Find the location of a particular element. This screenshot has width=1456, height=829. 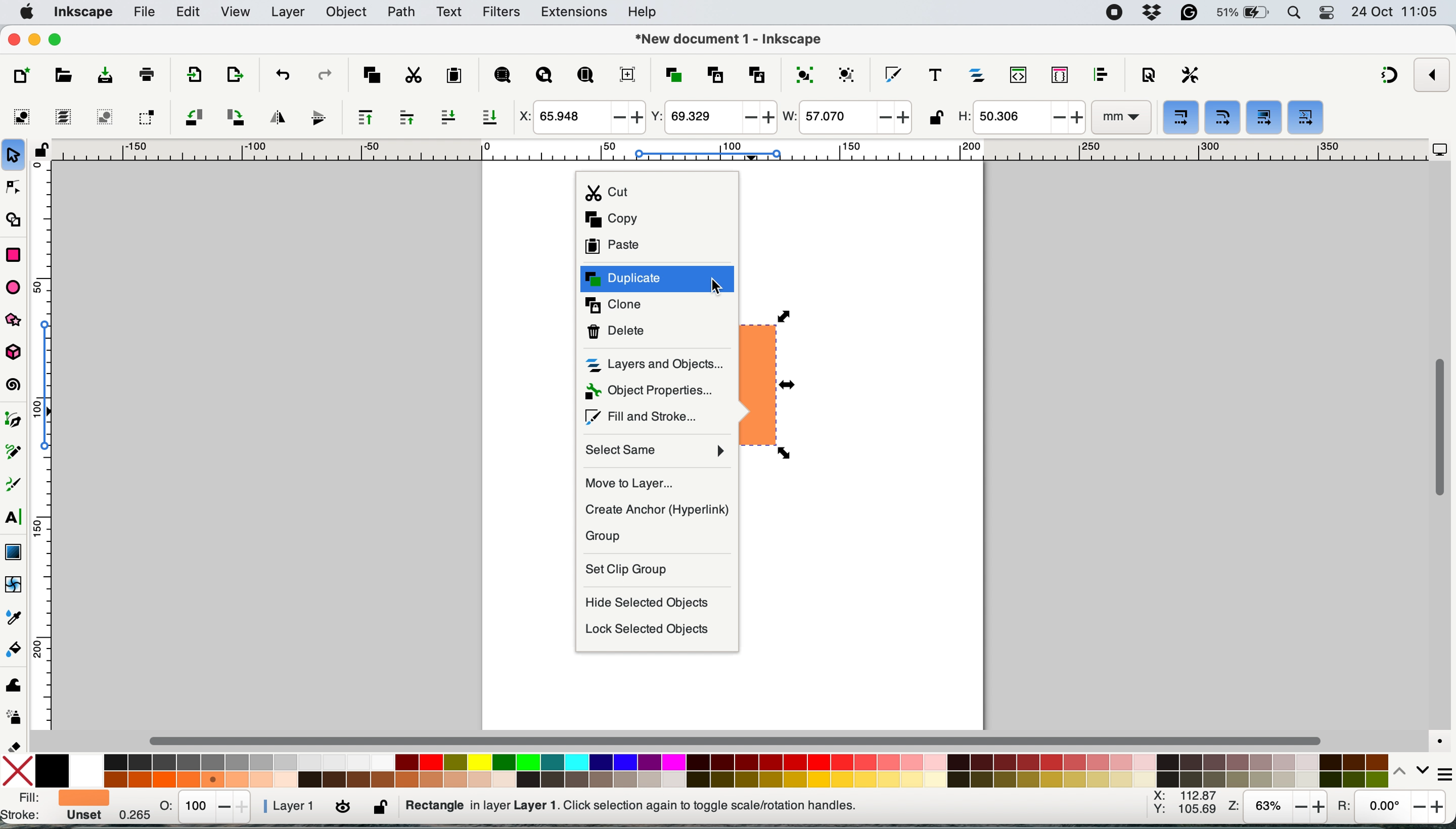

cut is located at coordinates (412, 75).